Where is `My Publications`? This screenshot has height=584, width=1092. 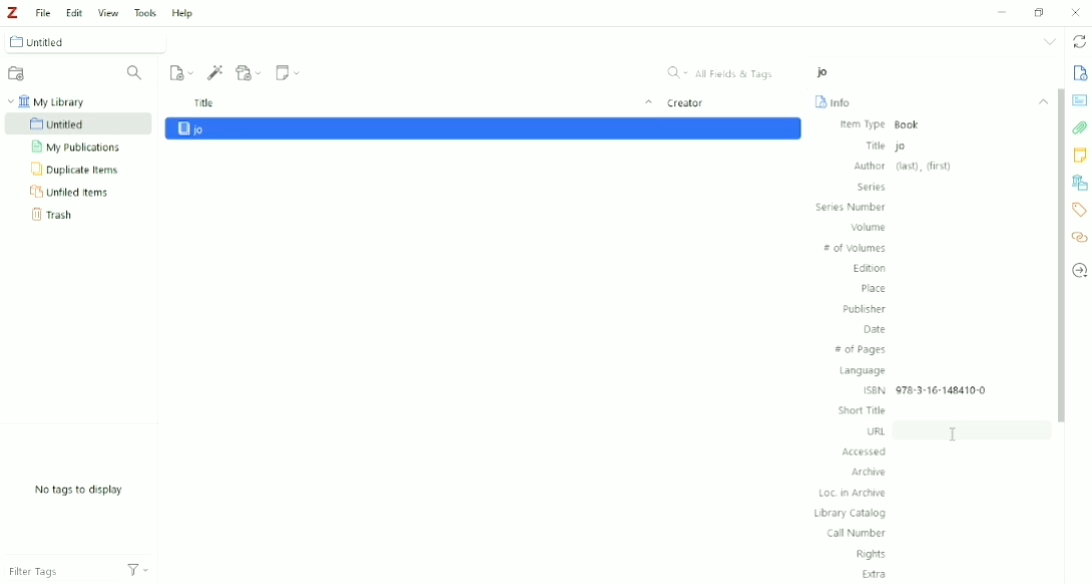 My Publications is located at coordinates (82, 147).